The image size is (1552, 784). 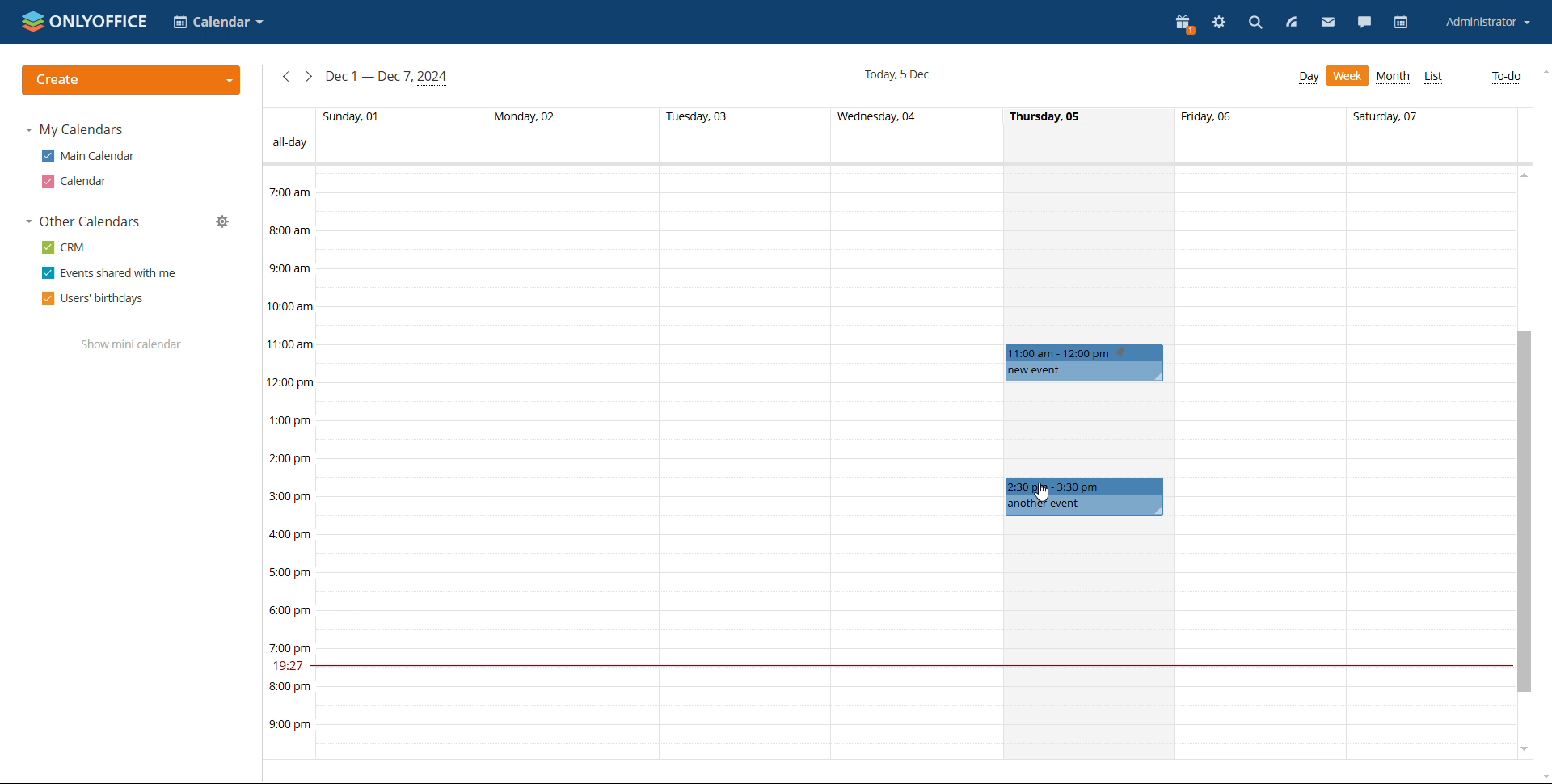 I want to click on boxes, so click(x=1341, y=468).